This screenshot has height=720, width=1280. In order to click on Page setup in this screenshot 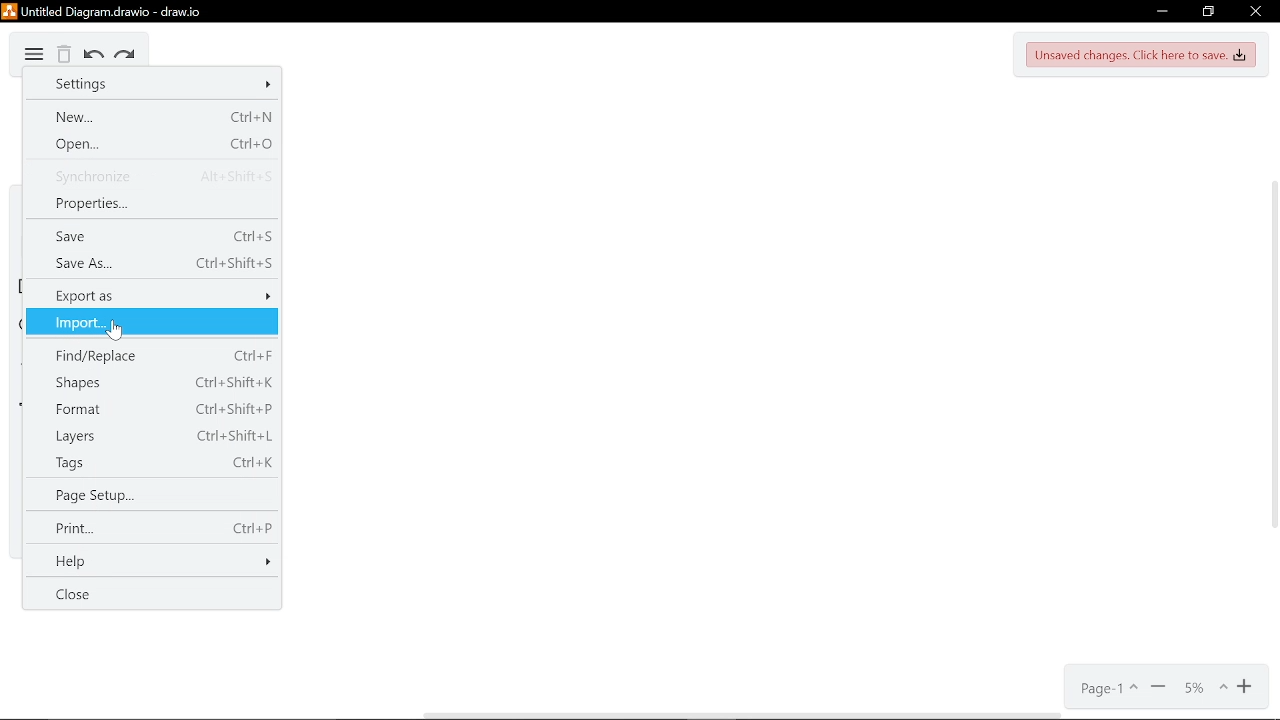, I will do `click(146, 494)`.